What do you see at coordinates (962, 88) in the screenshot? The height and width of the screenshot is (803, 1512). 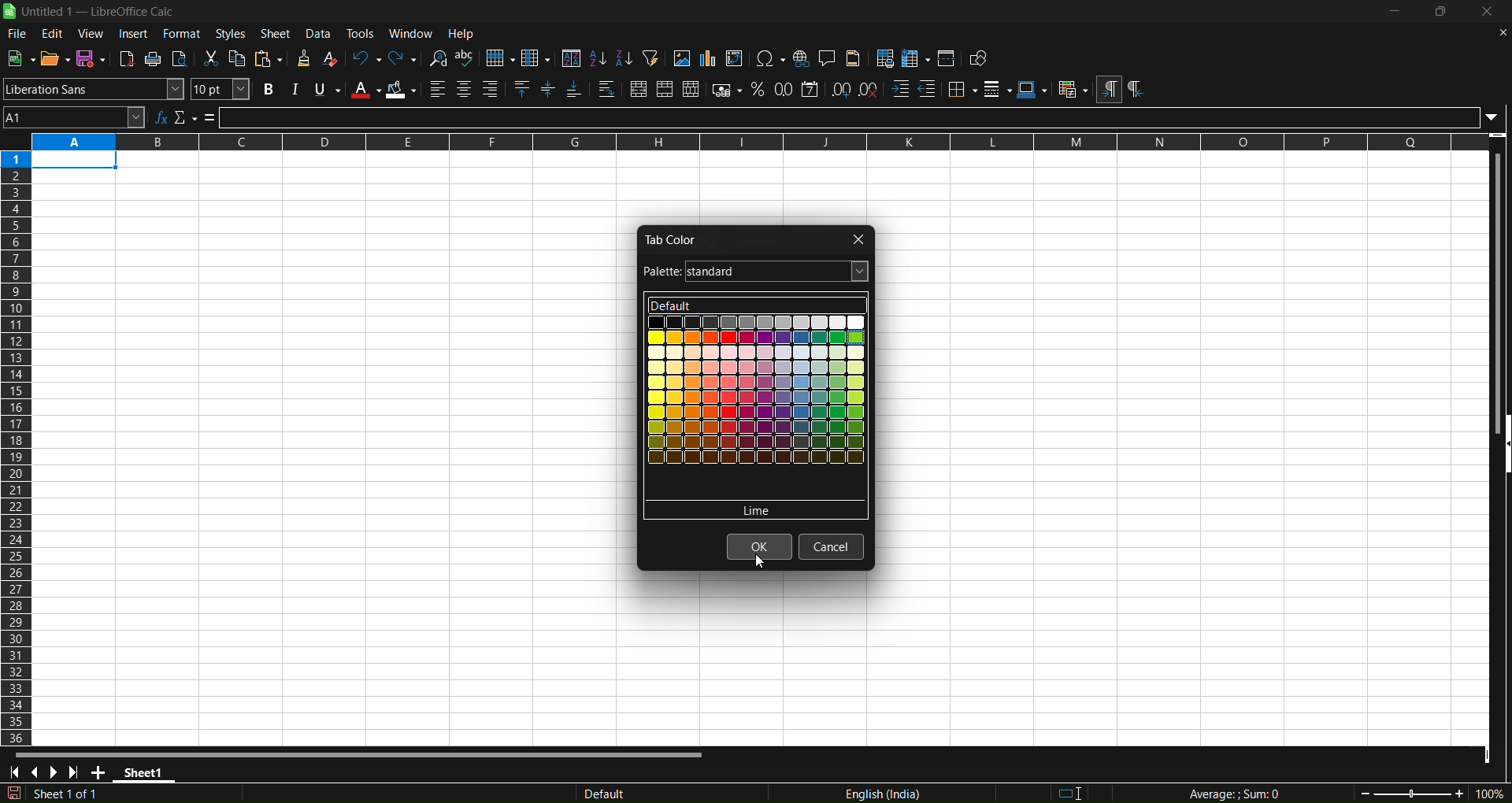 I see `border` at bounding box center [962, 88].